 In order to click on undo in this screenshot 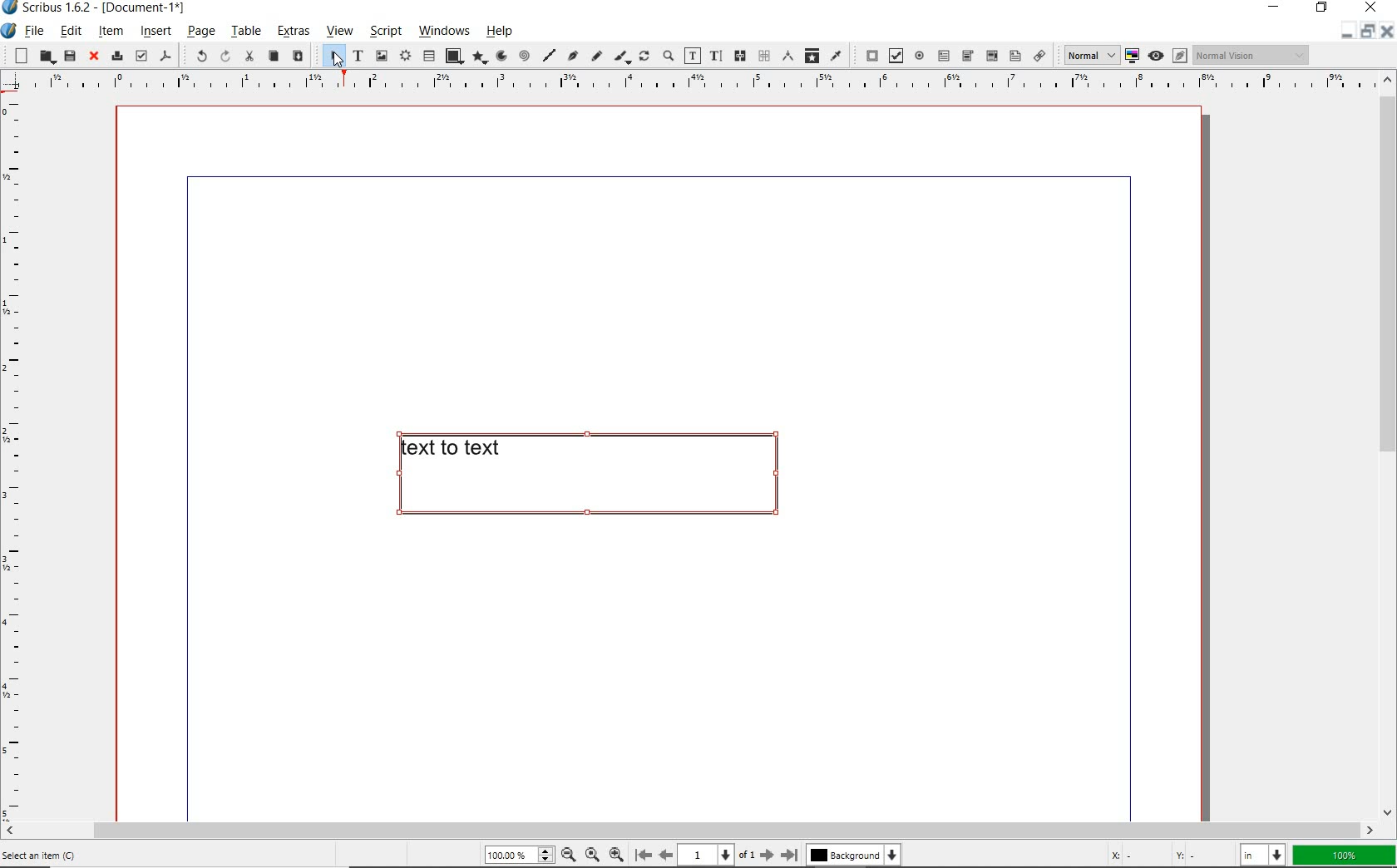, I will do `click(195, 55)`.